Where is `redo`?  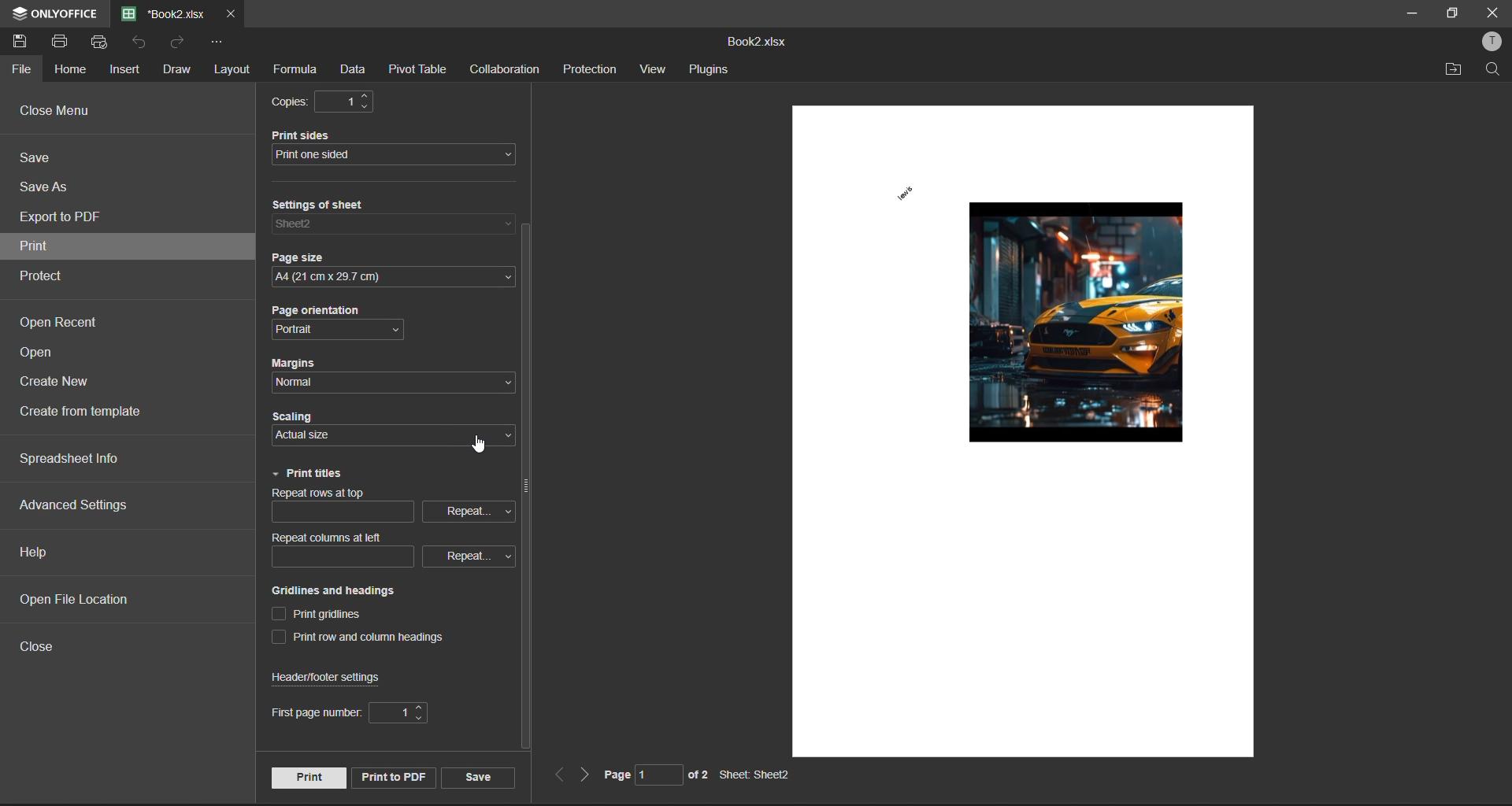 redo is located at coordinates (179, 43).